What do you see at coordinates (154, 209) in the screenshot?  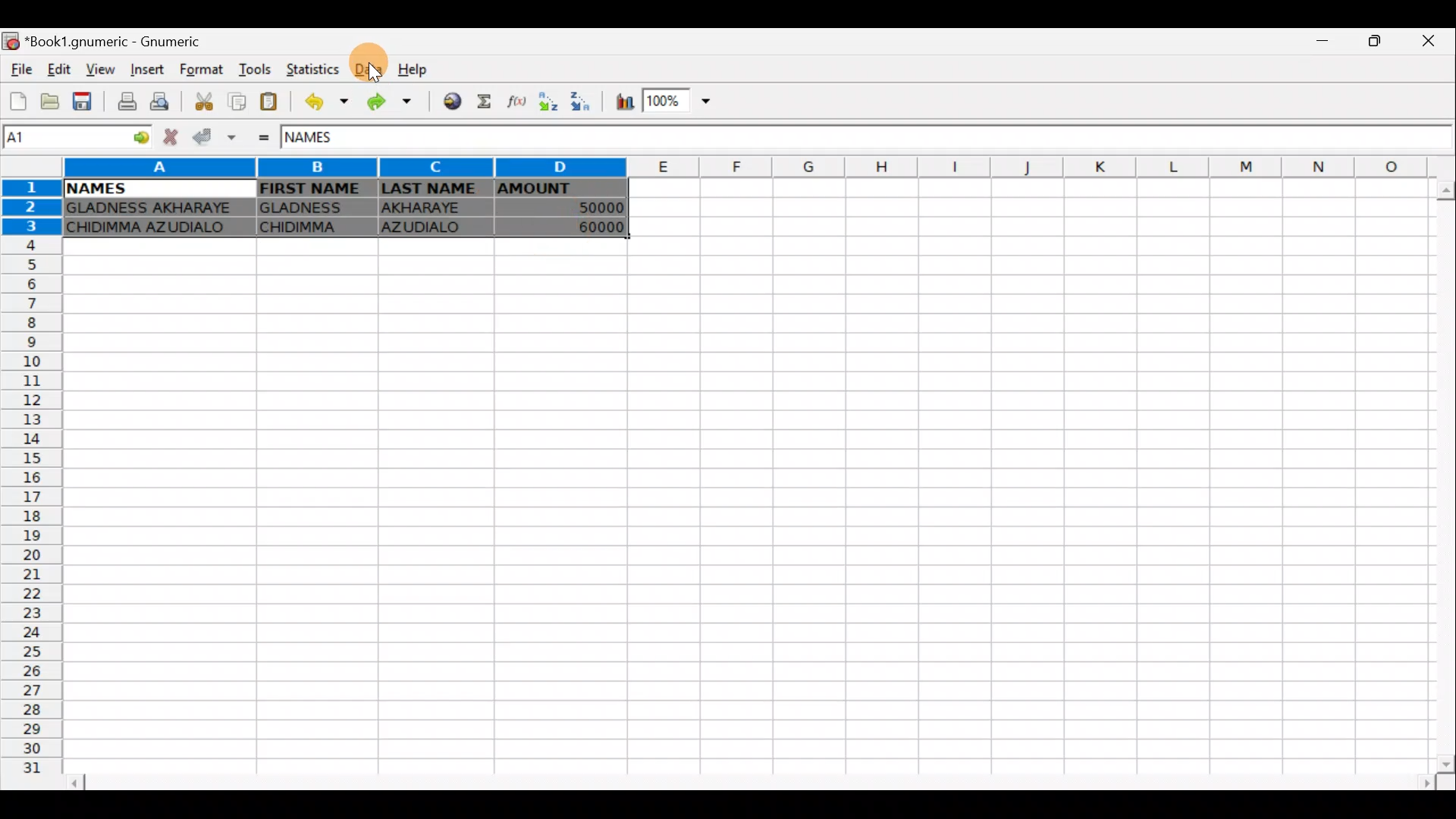 I see `GLADNESS AKHARAYE` at bounding box center [154, 209].